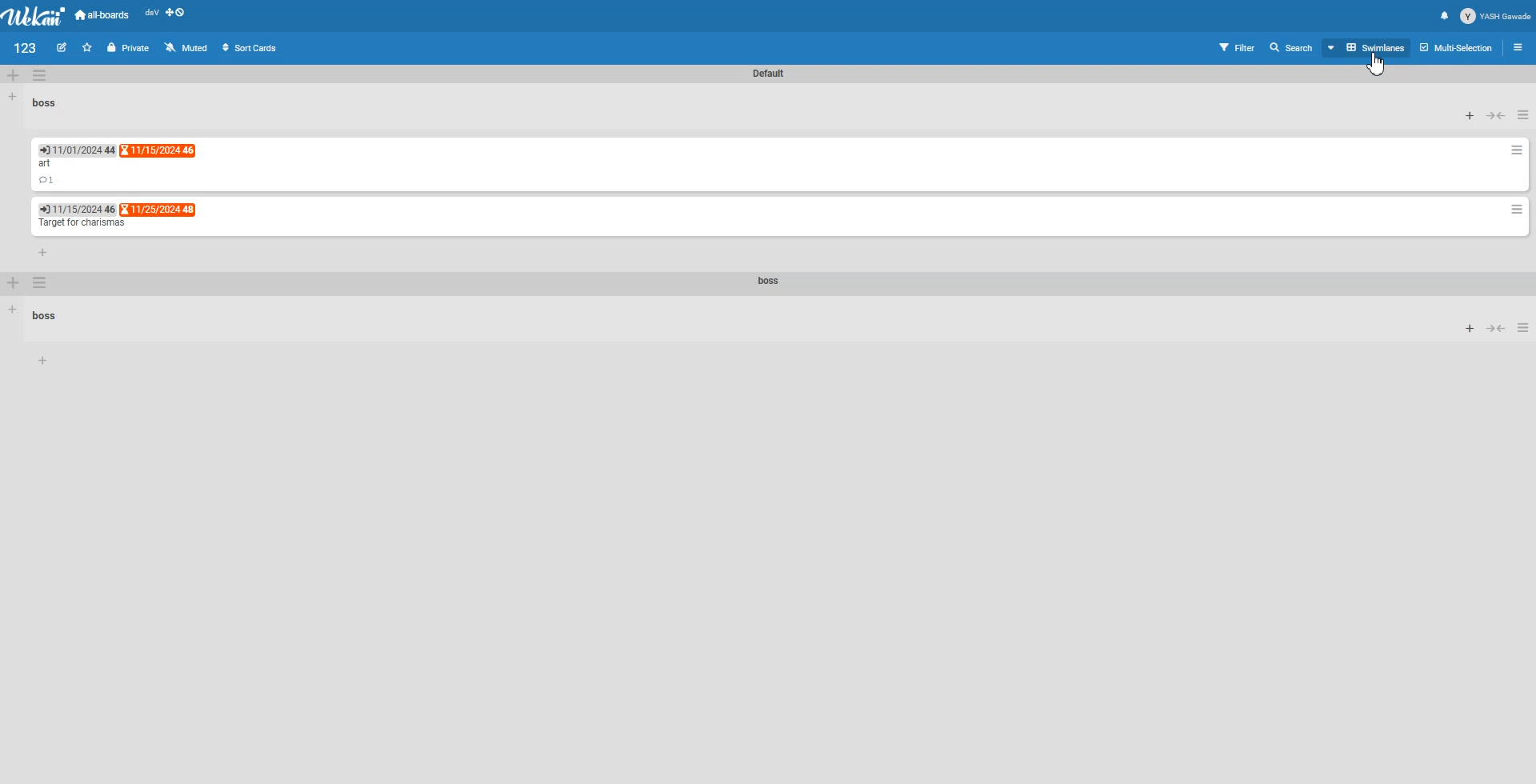 This screenshot has height=784, width=1536. Describe the element at coordinates (14, 75) in the screenshot. I see `Add Swimlane` at that location.